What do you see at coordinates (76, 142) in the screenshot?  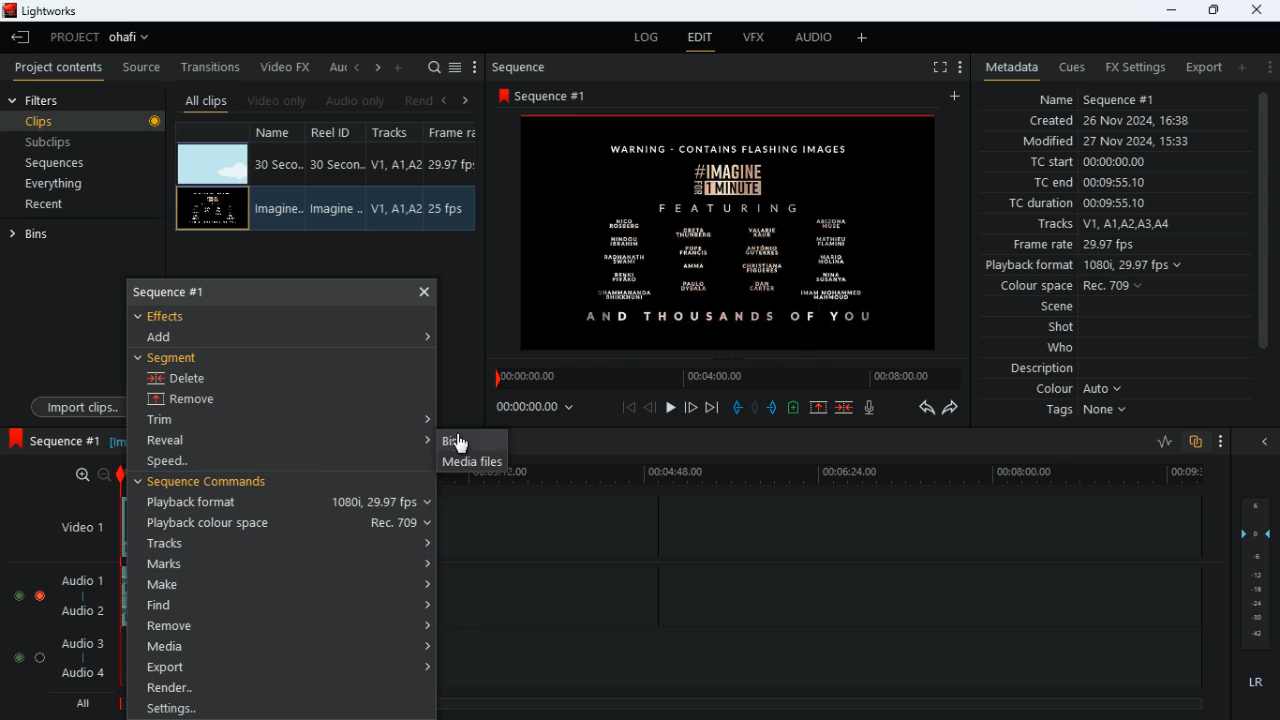 I see `subclips` at bounding box center [76, 142].